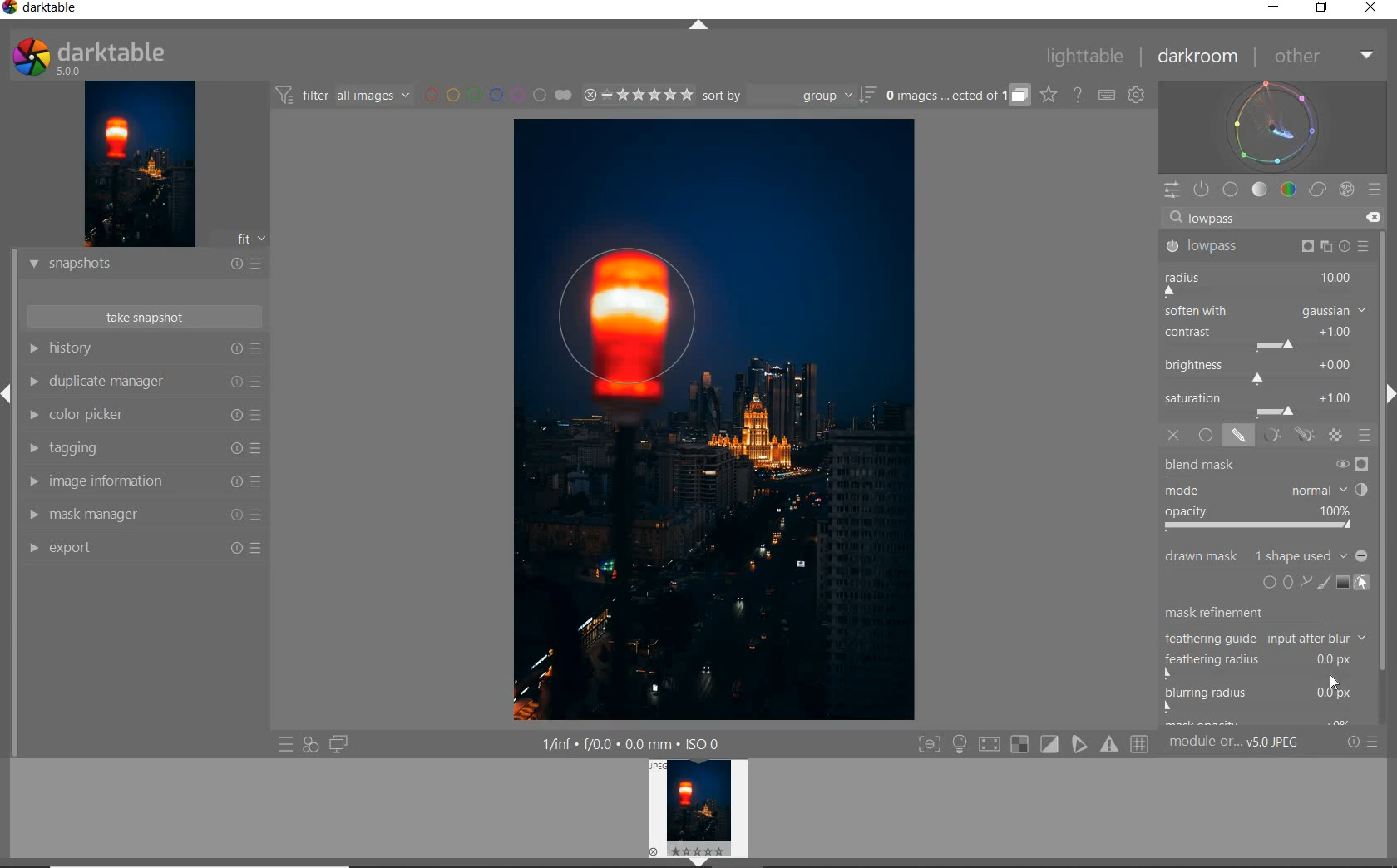 Image resolution: width=1397 pixels, height=868 pixels. Describe the element at coordinates (1366, 436) in the screenshot. I see `BLENDING OPTIONS` at that location.